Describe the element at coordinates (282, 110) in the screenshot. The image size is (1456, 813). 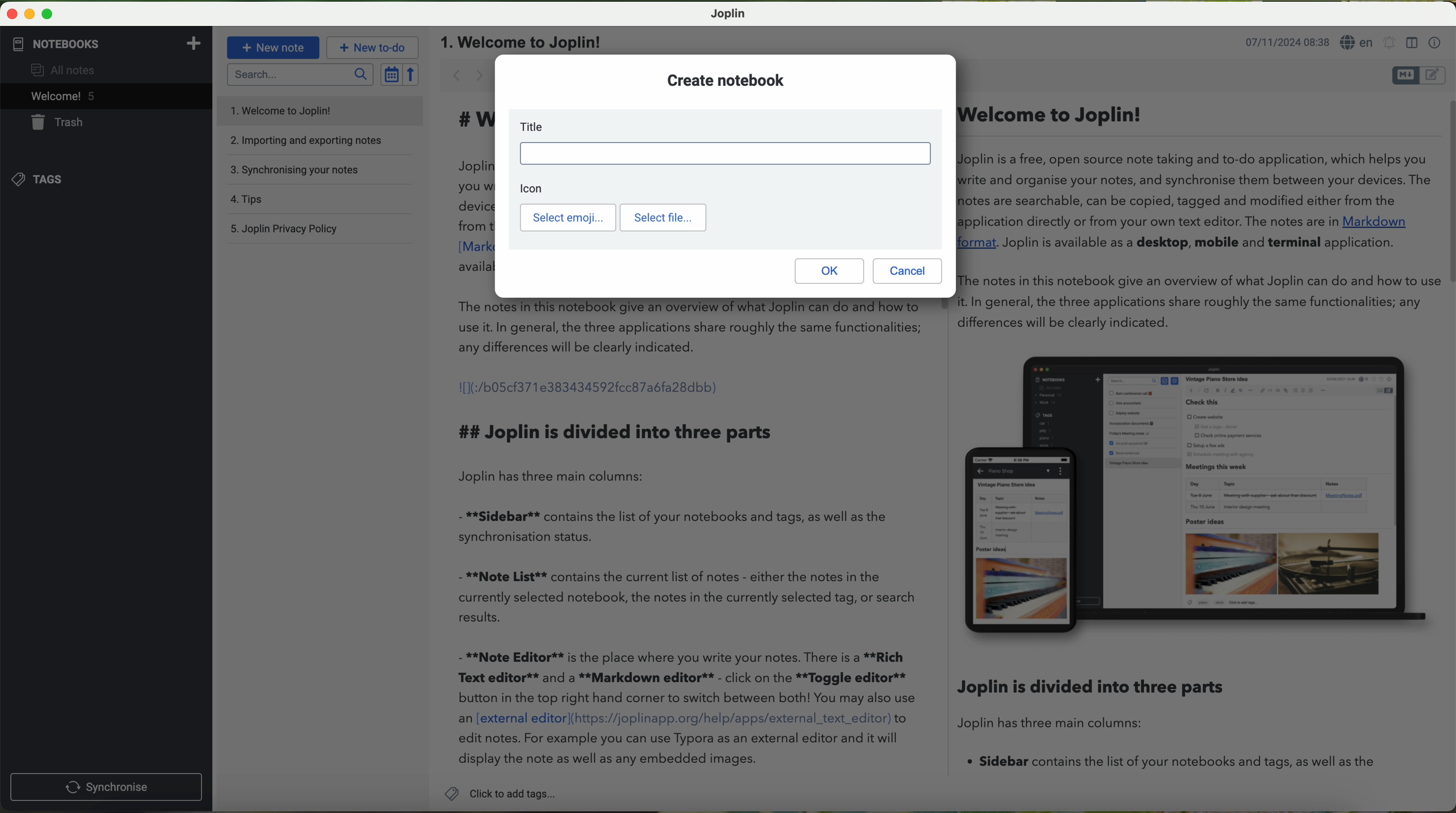
I see `welcome to Joplin` at that location.